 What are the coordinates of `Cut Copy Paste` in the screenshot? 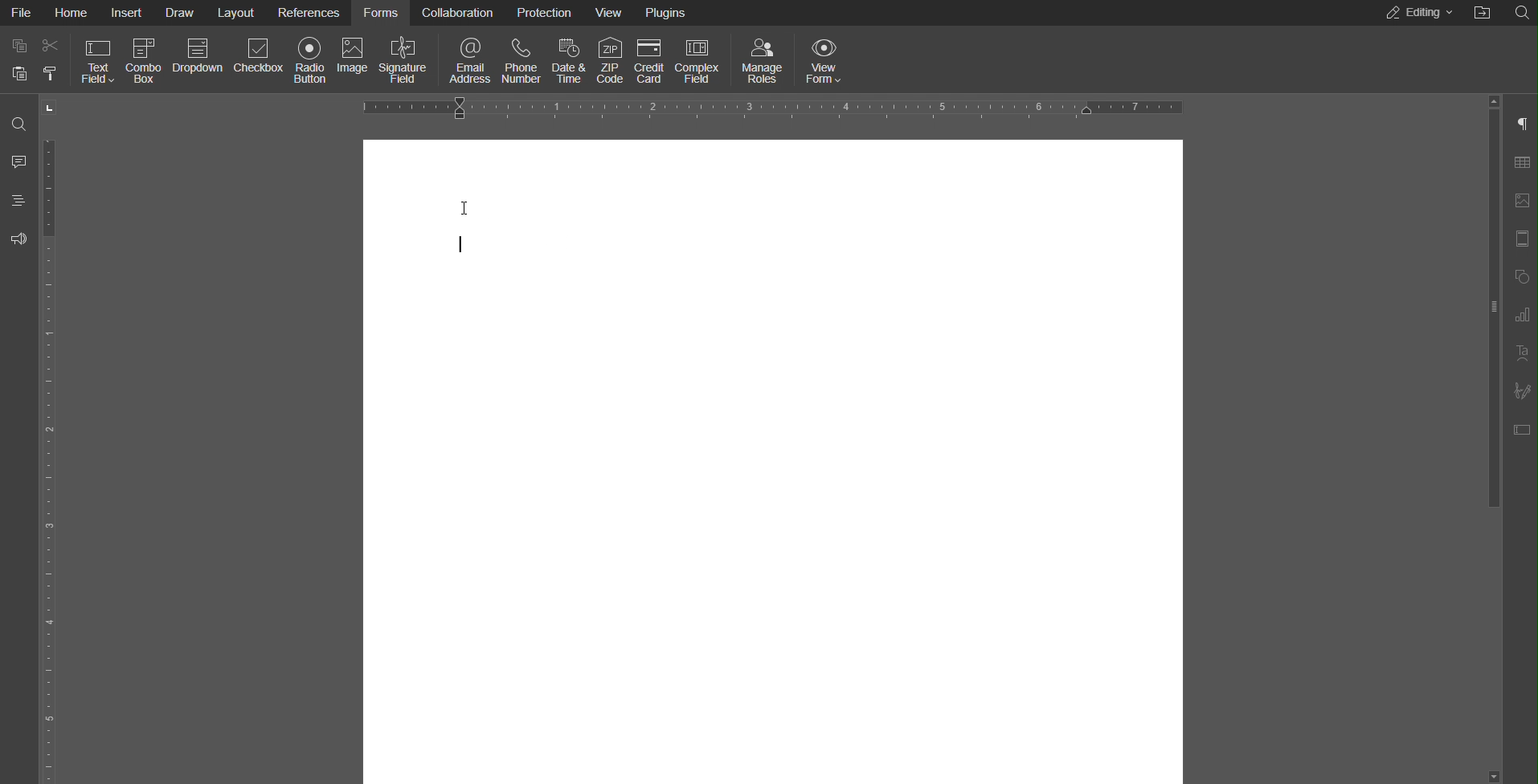 It's located at (35, 61).